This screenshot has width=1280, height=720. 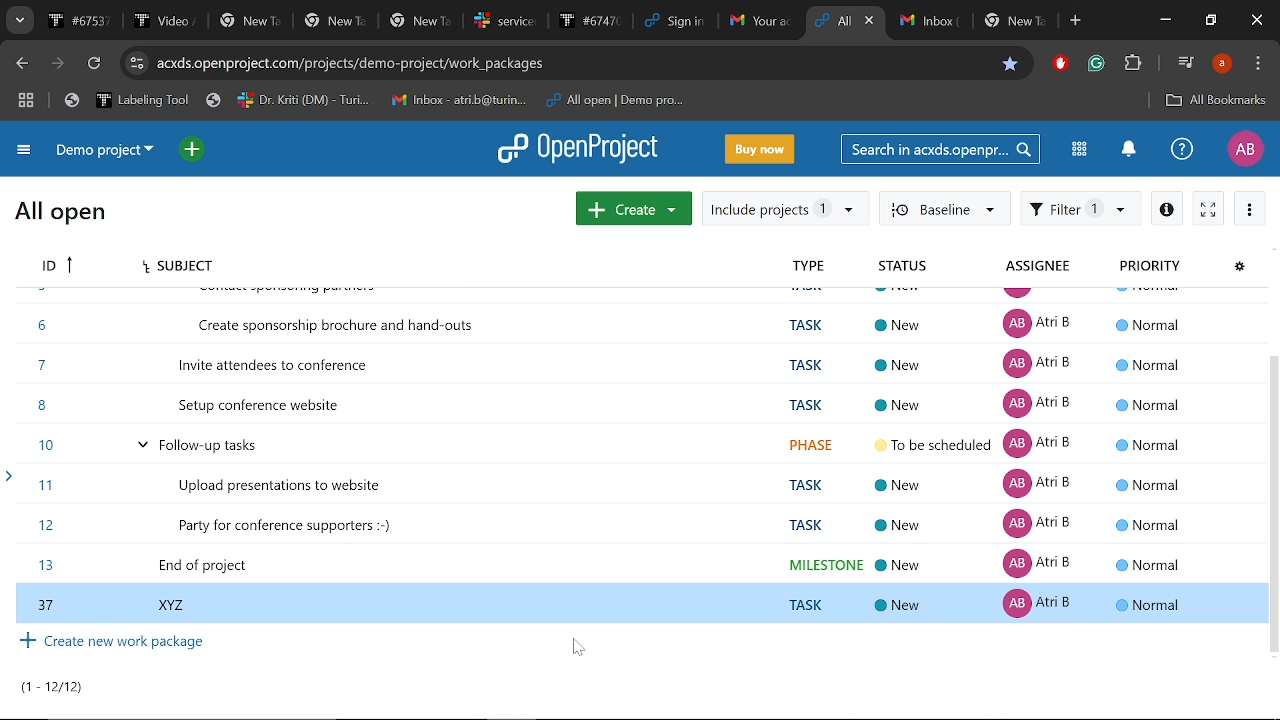 I want to click on Open details view, so click(x=1167, y=208).